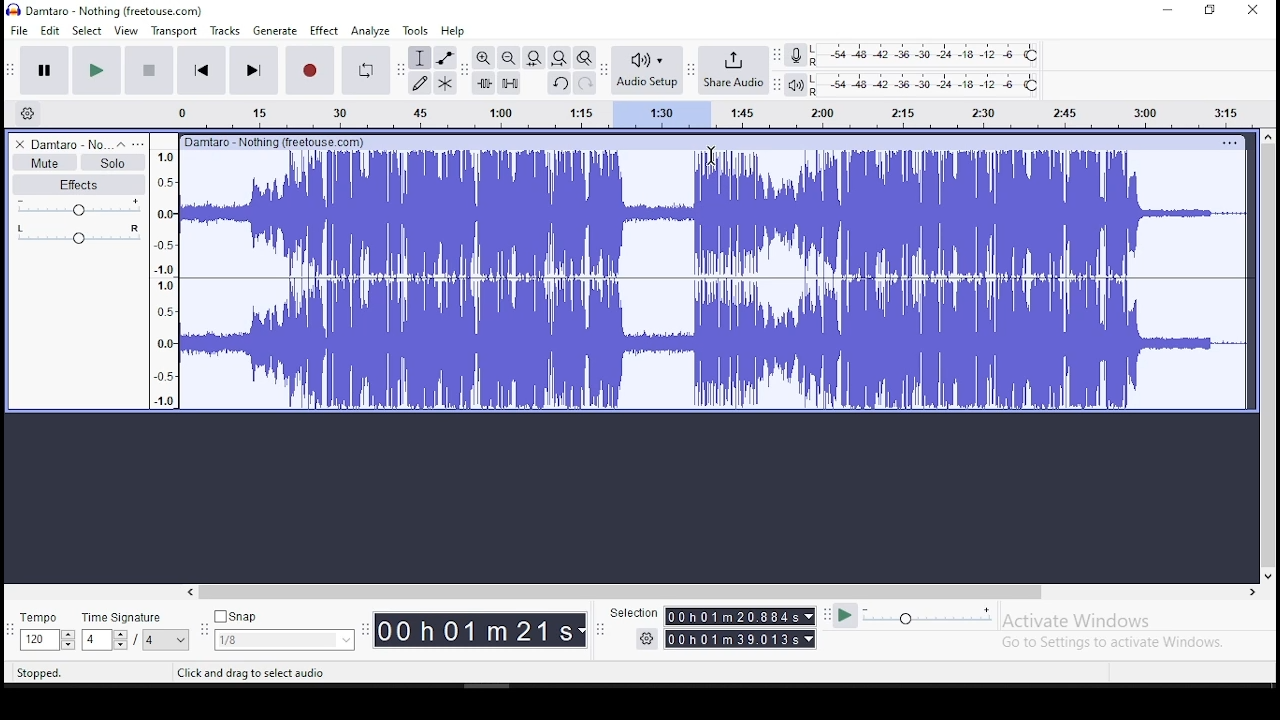 The height and width of the screenshot is (720, 1280). What do you see at coordinates (775, 53) in the screenshot?
I see `` at bounding box center [775, 53].